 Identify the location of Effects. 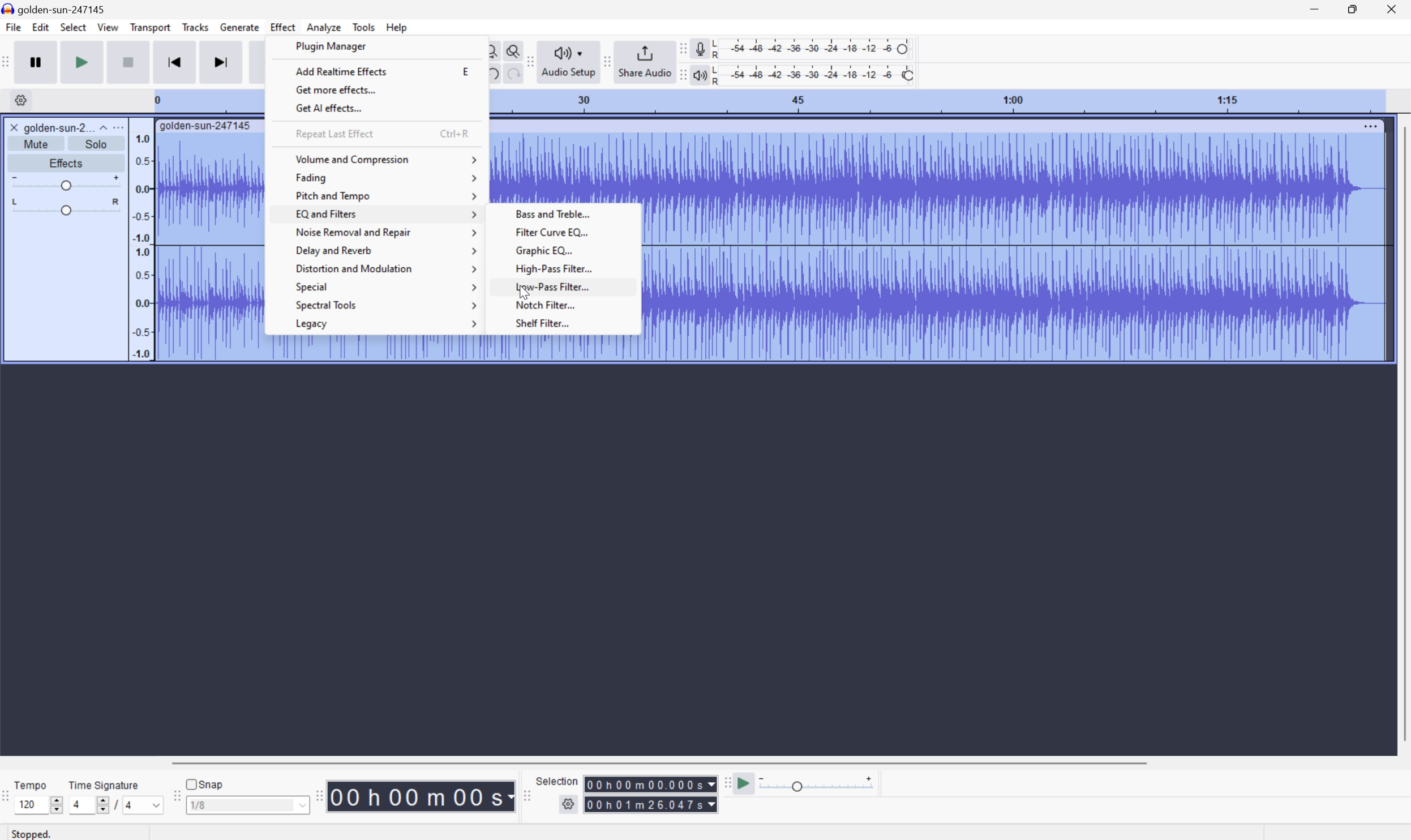
(65, 161).